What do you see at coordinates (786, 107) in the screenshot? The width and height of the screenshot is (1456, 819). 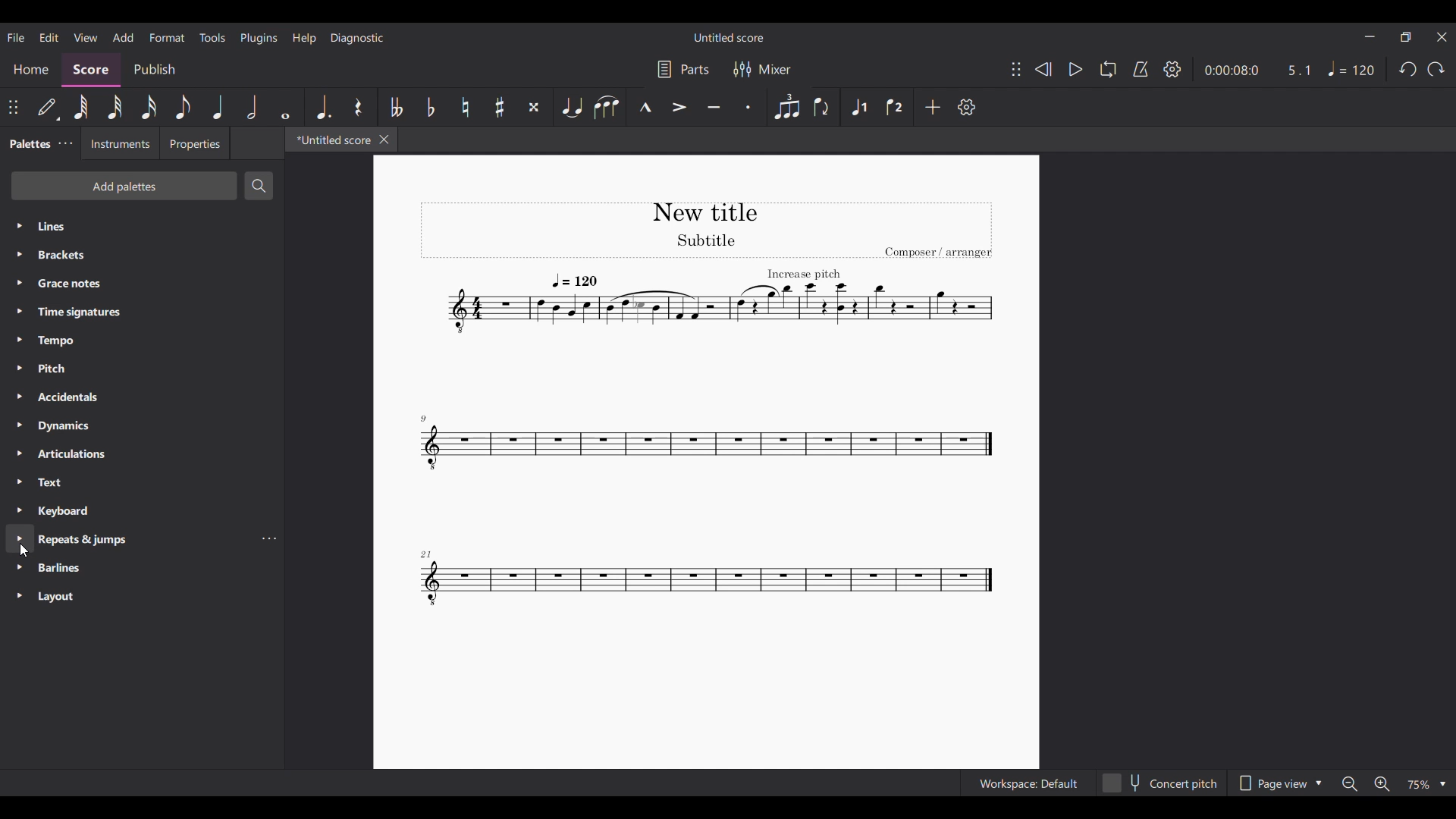 I see `Tuplet` at bounding box center [786, 107].